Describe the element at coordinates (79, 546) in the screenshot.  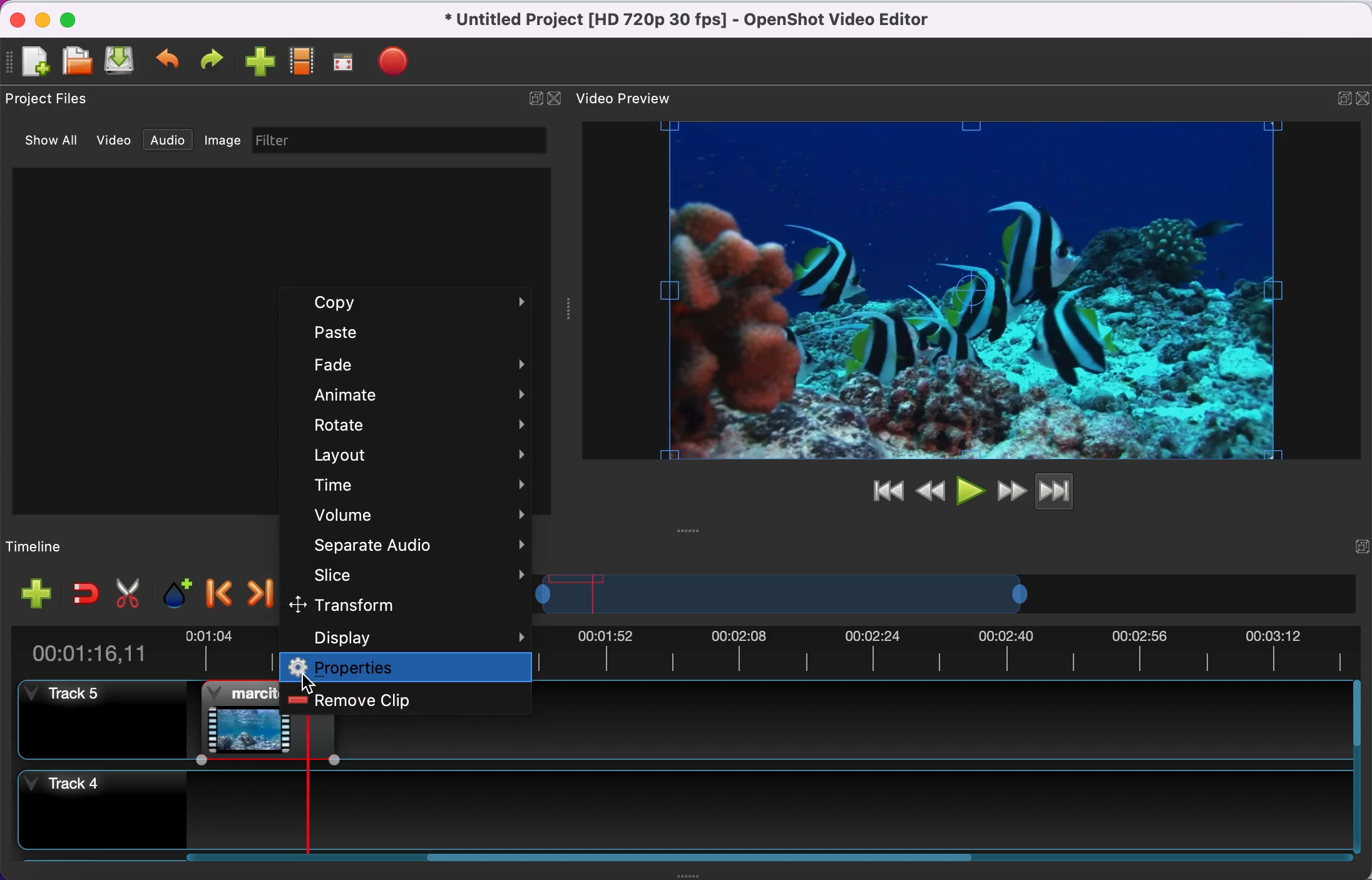
I see `timelime` at that location.